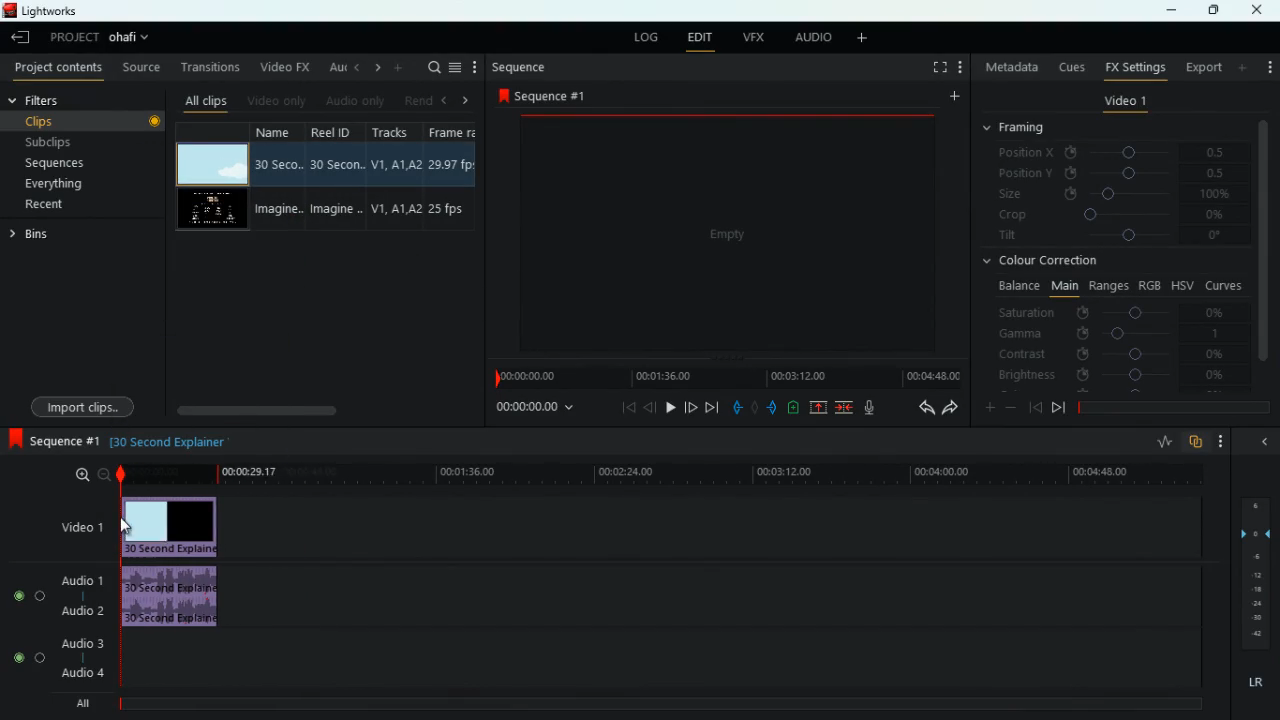 The height and width of the screenshot is (720, 1280). I want to click on audio 4, so click(79, 672).